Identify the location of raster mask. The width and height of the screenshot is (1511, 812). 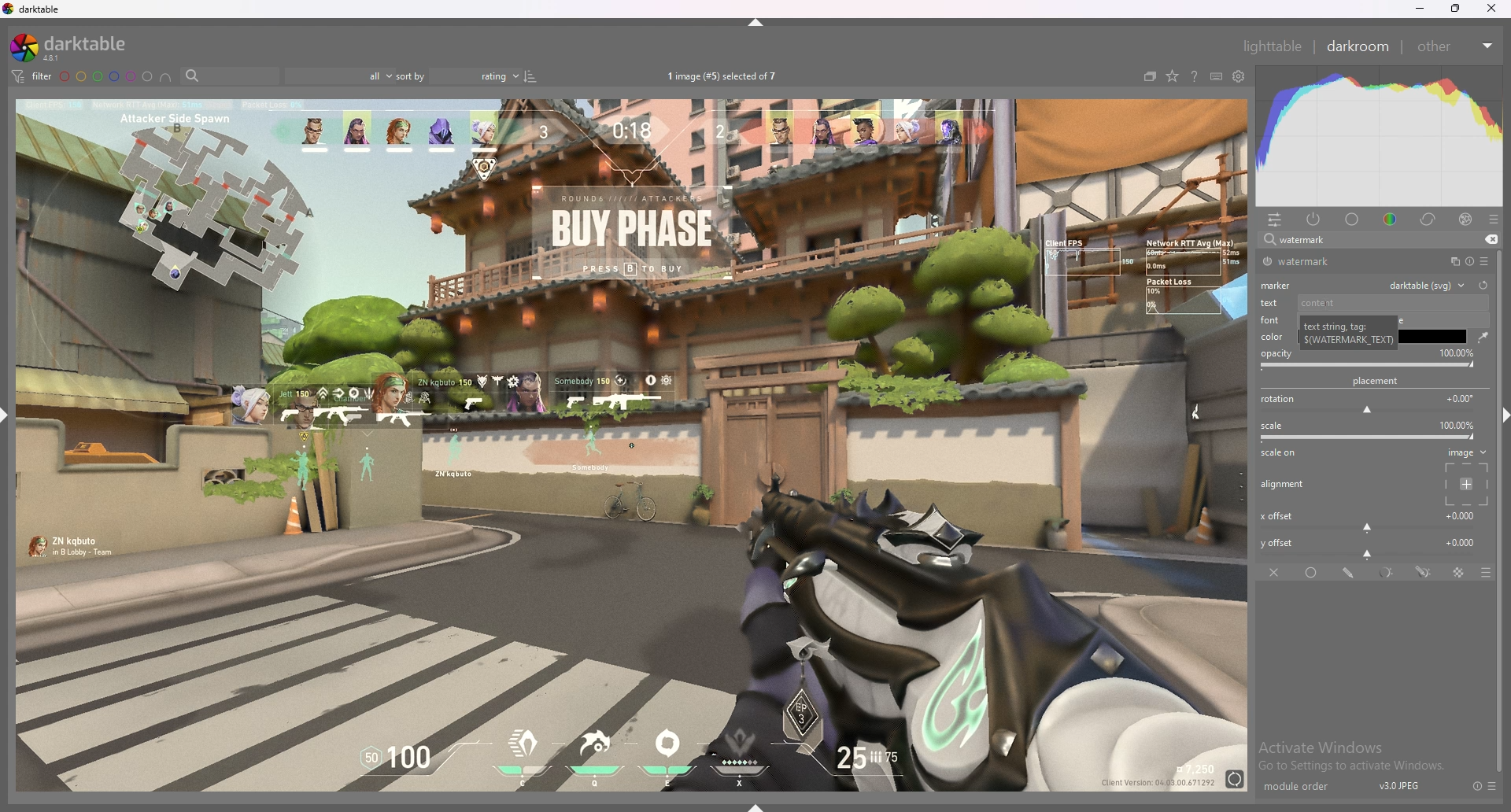
(1460, 573).